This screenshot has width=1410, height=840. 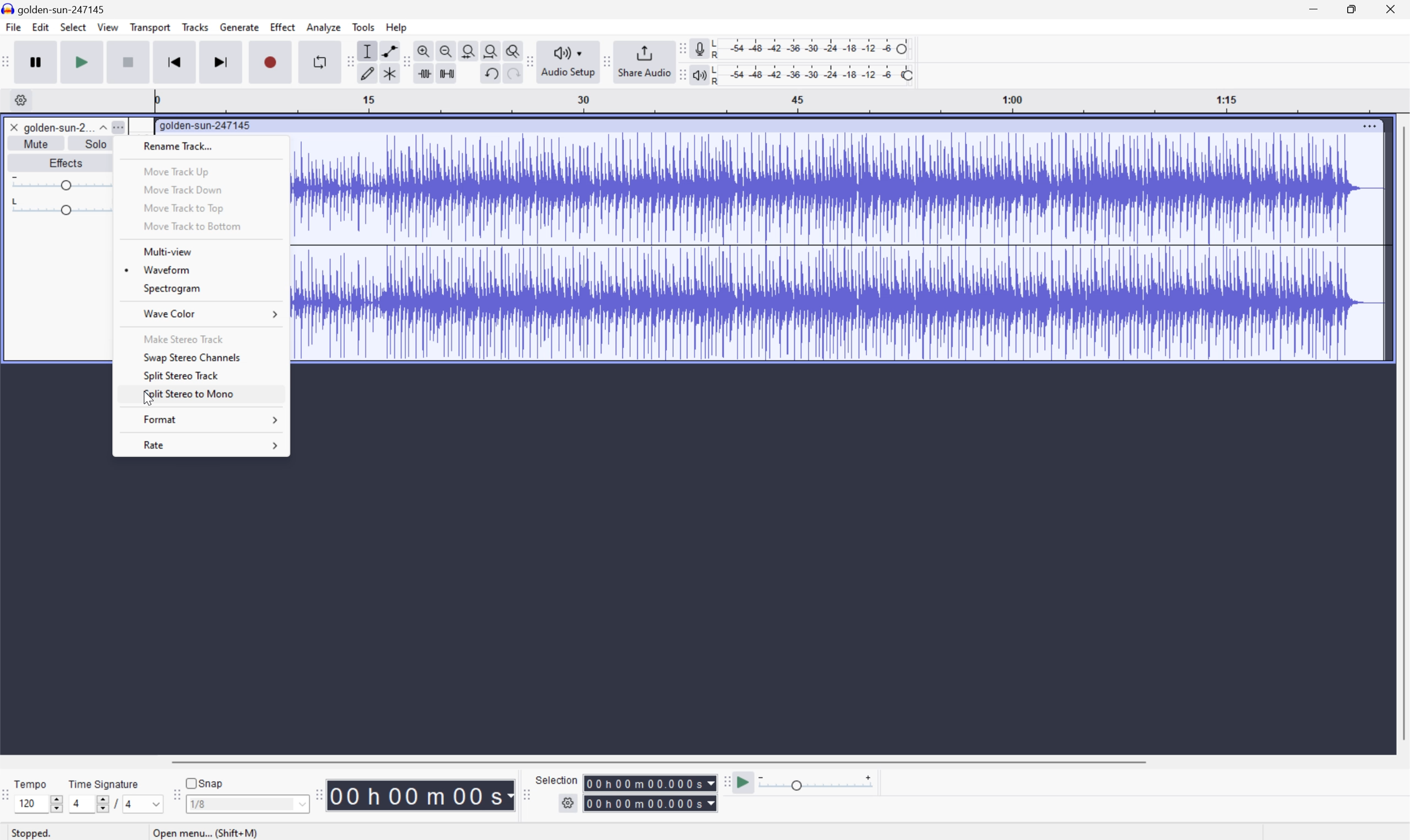 I want to click on Audacity recording meter toolbar, so click(x=678, y=47).